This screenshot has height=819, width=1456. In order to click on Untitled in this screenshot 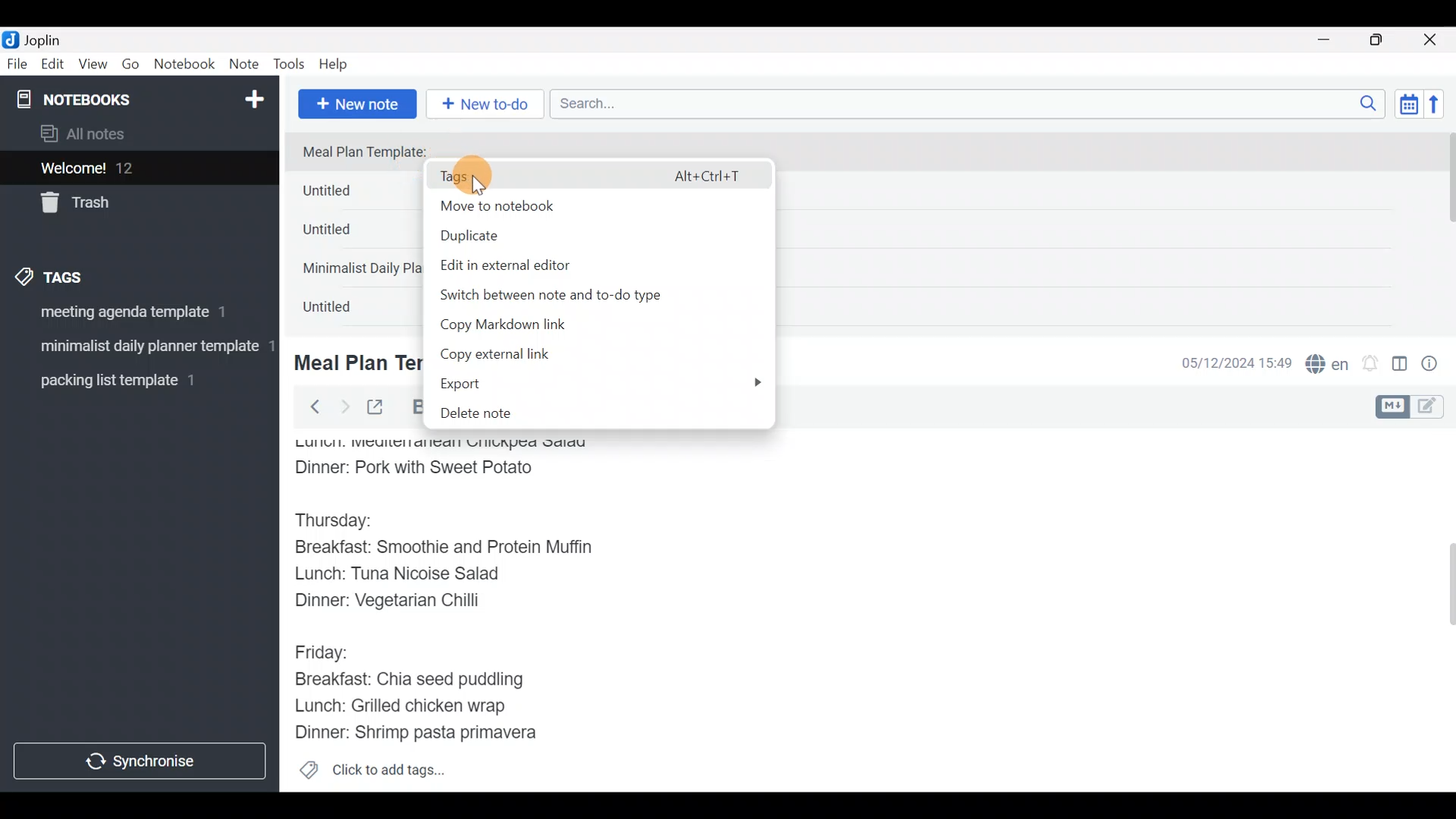, I will do `click(344, 310)`.